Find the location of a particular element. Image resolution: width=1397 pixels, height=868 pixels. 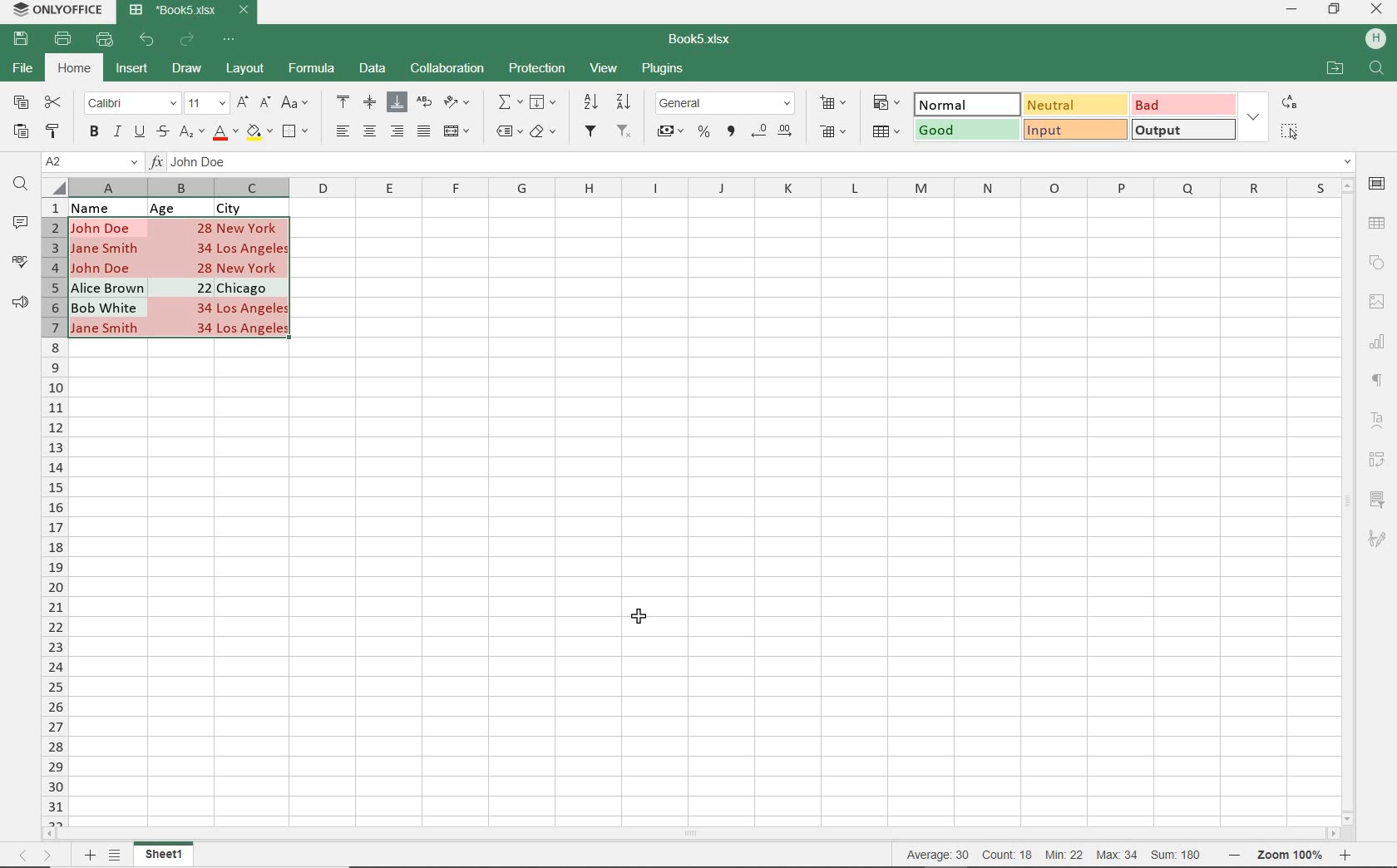

COLLABORATION is located at coordinates (446, 69).